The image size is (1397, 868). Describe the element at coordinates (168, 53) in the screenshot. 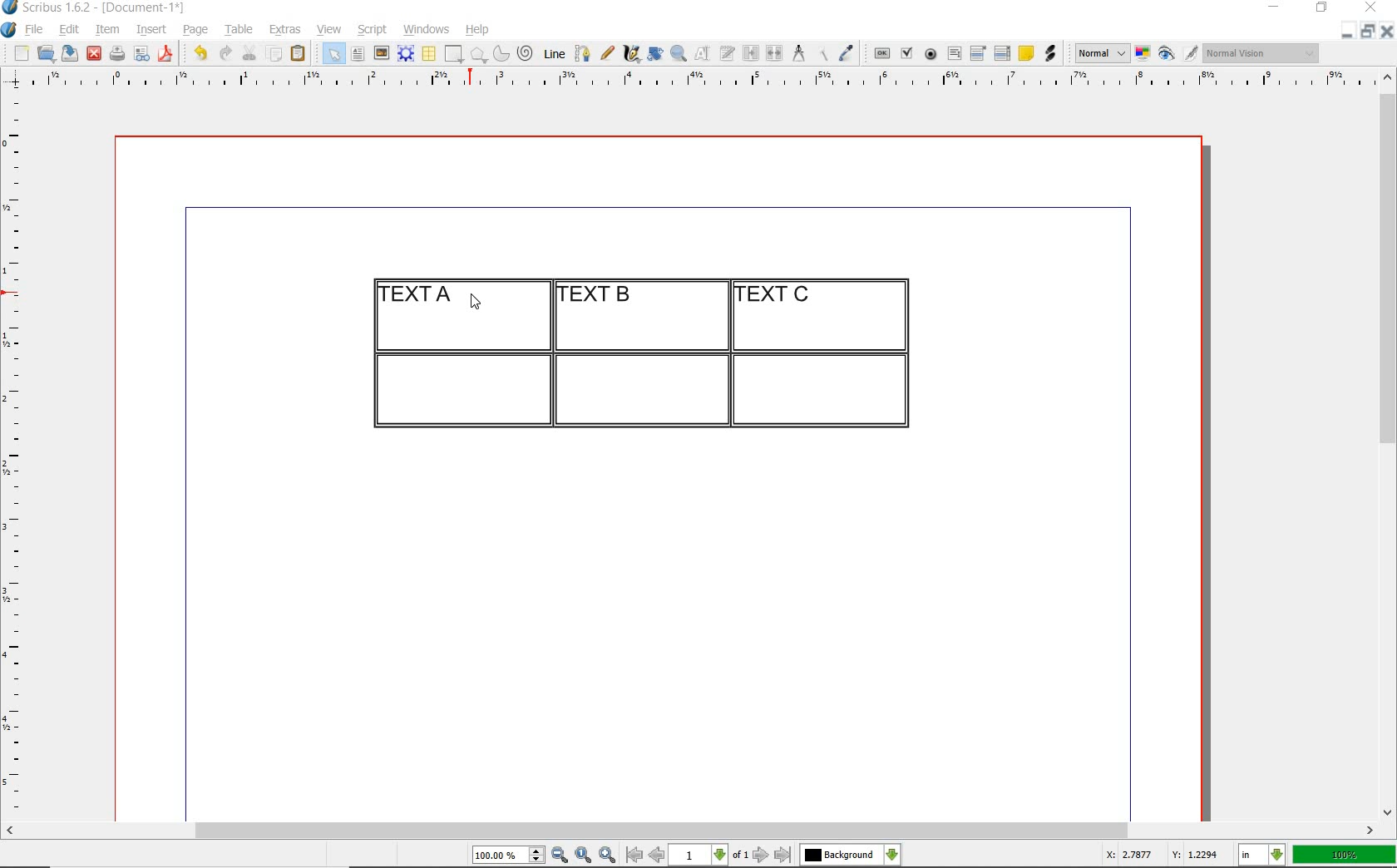

I see `save as pdf` at that location.